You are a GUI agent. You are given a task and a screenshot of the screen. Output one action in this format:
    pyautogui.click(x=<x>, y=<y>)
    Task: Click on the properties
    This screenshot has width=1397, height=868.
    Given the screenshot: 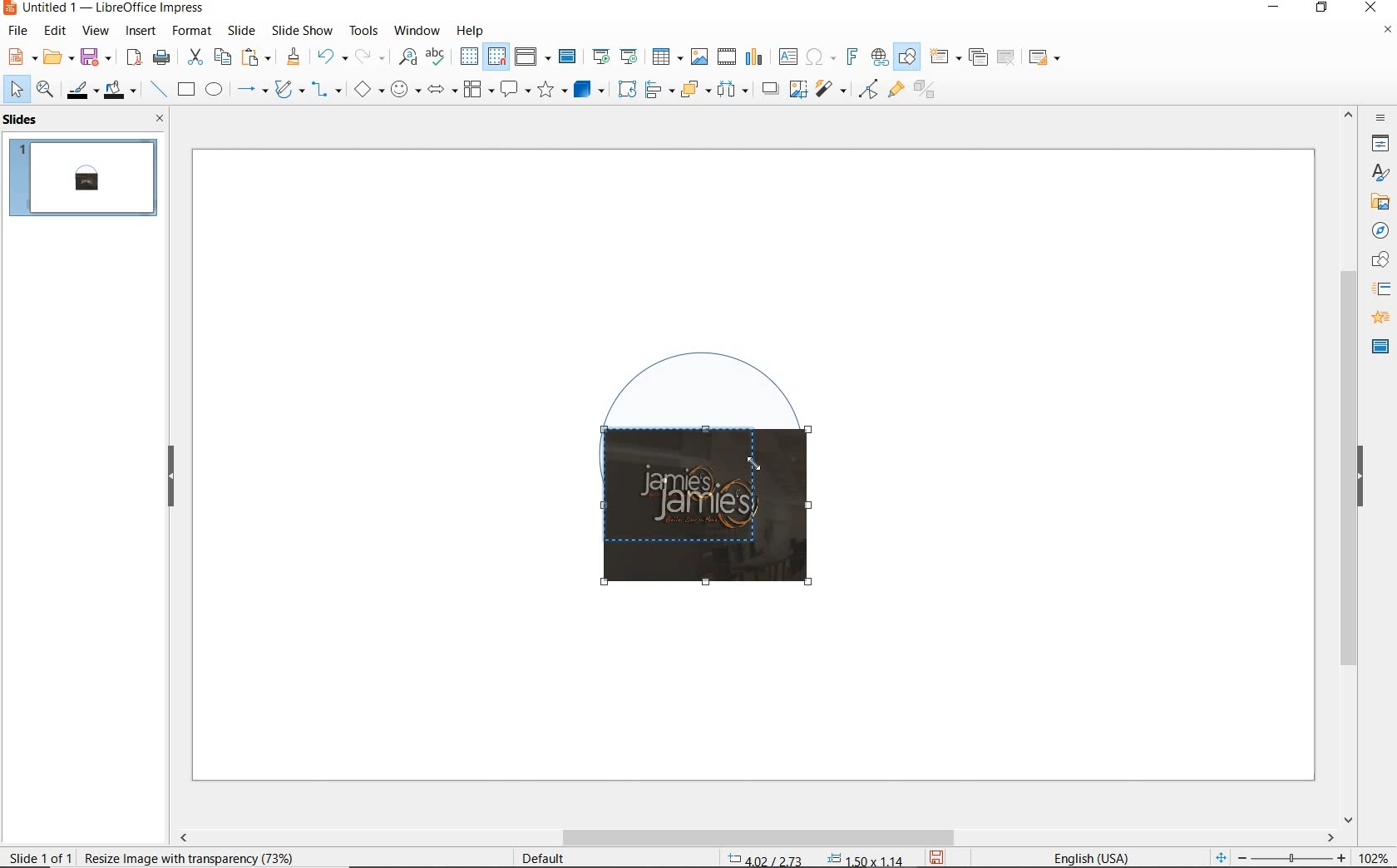 What is the action you would take?
    pyautogui.click(x=1379, y=143)
    